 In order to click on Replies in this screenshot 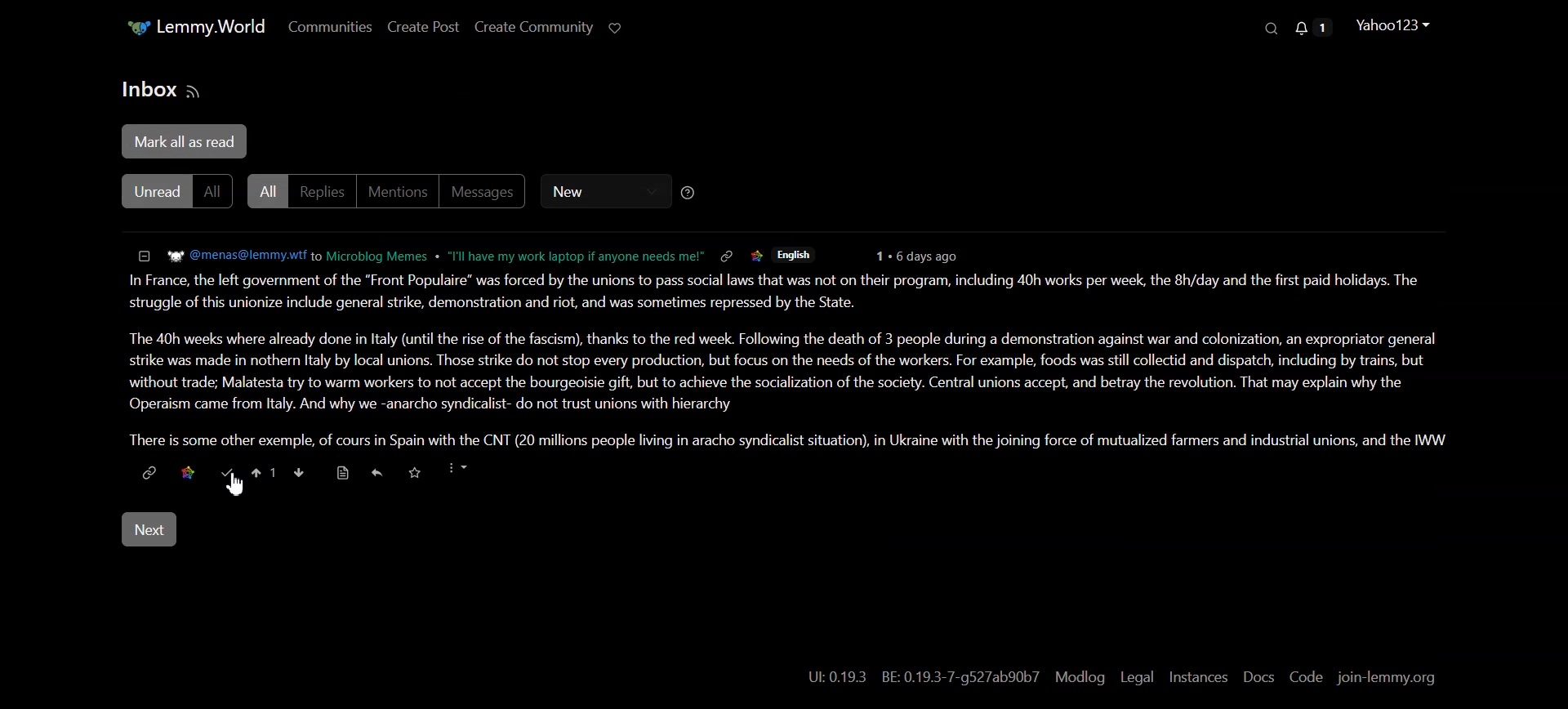, I will do `click(323, 191)`.